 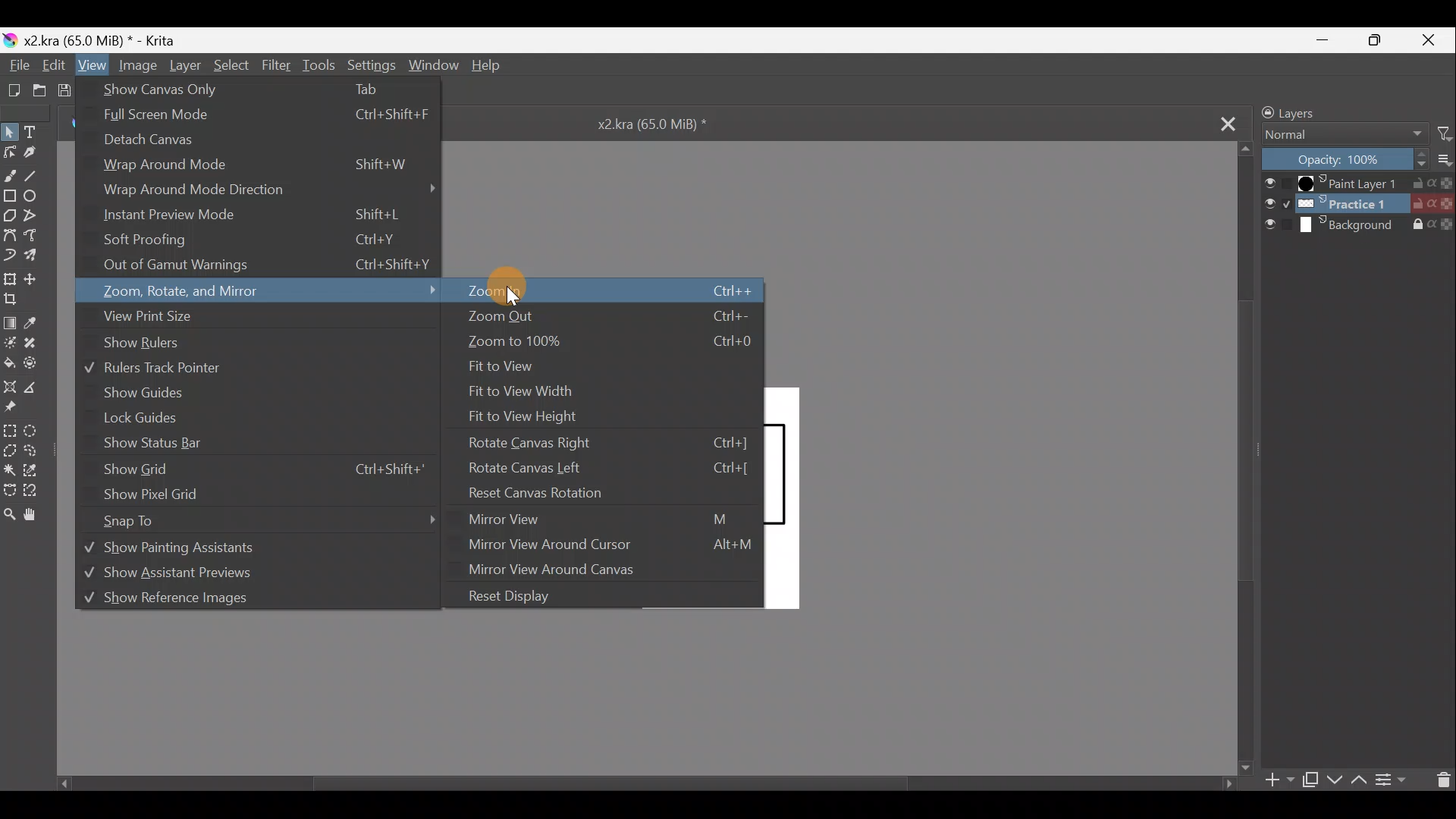 What do you see at coordinates (1326, 39) in the screenshot?
I see `Minimize` at bounding box center [1326, 39].